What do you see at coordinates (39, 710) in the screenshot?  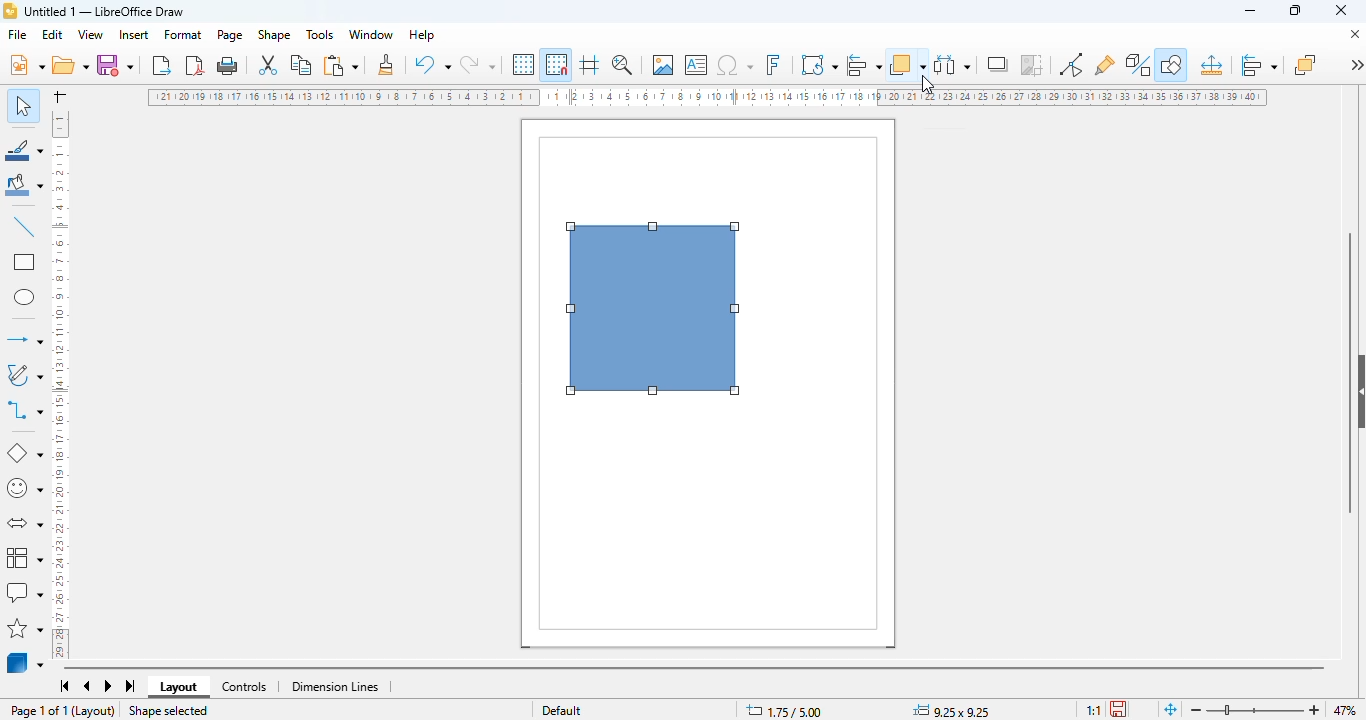 I see `page 1 of 1` at bounding box center [39, 710].